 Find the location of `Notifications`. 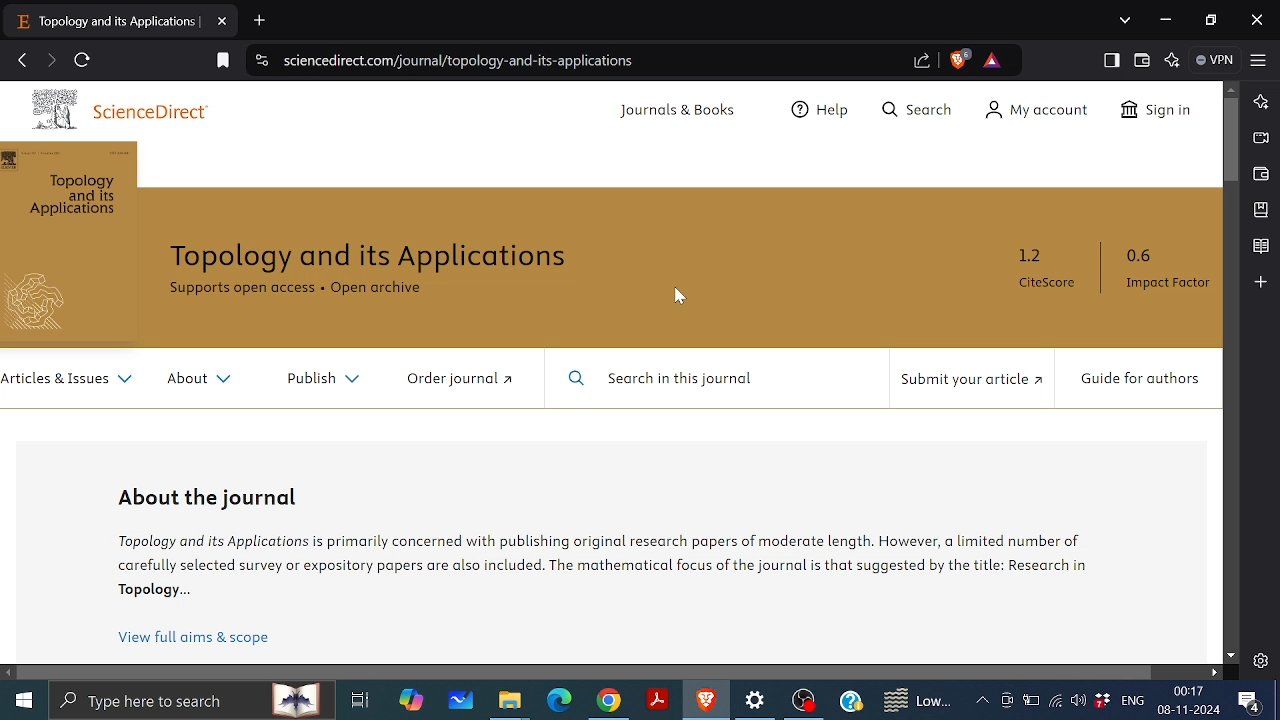

Notifications is located at coordinates (1250, 701).